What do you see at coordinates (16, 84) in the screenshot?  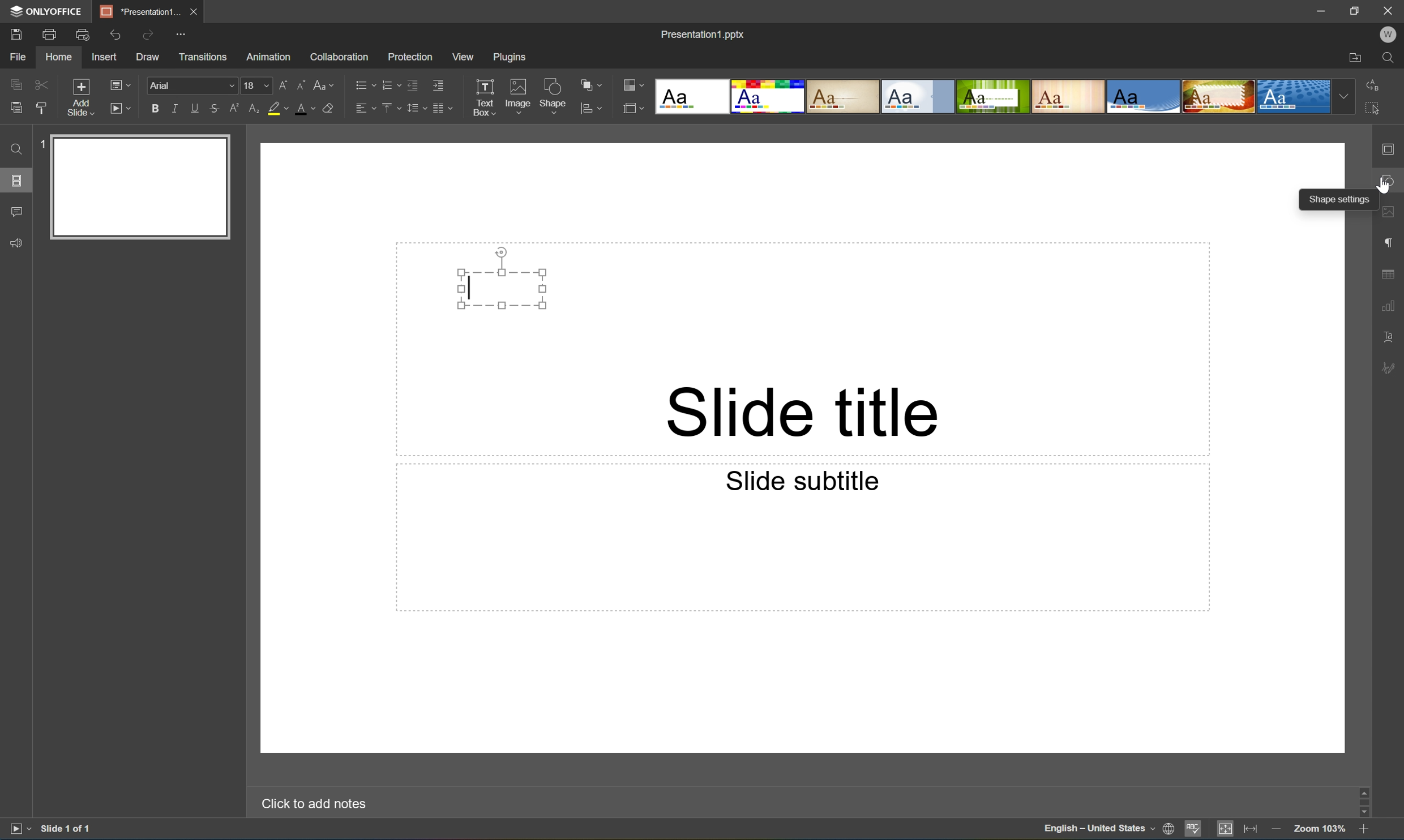 I see `Copy` at bounding box center [16, 84].